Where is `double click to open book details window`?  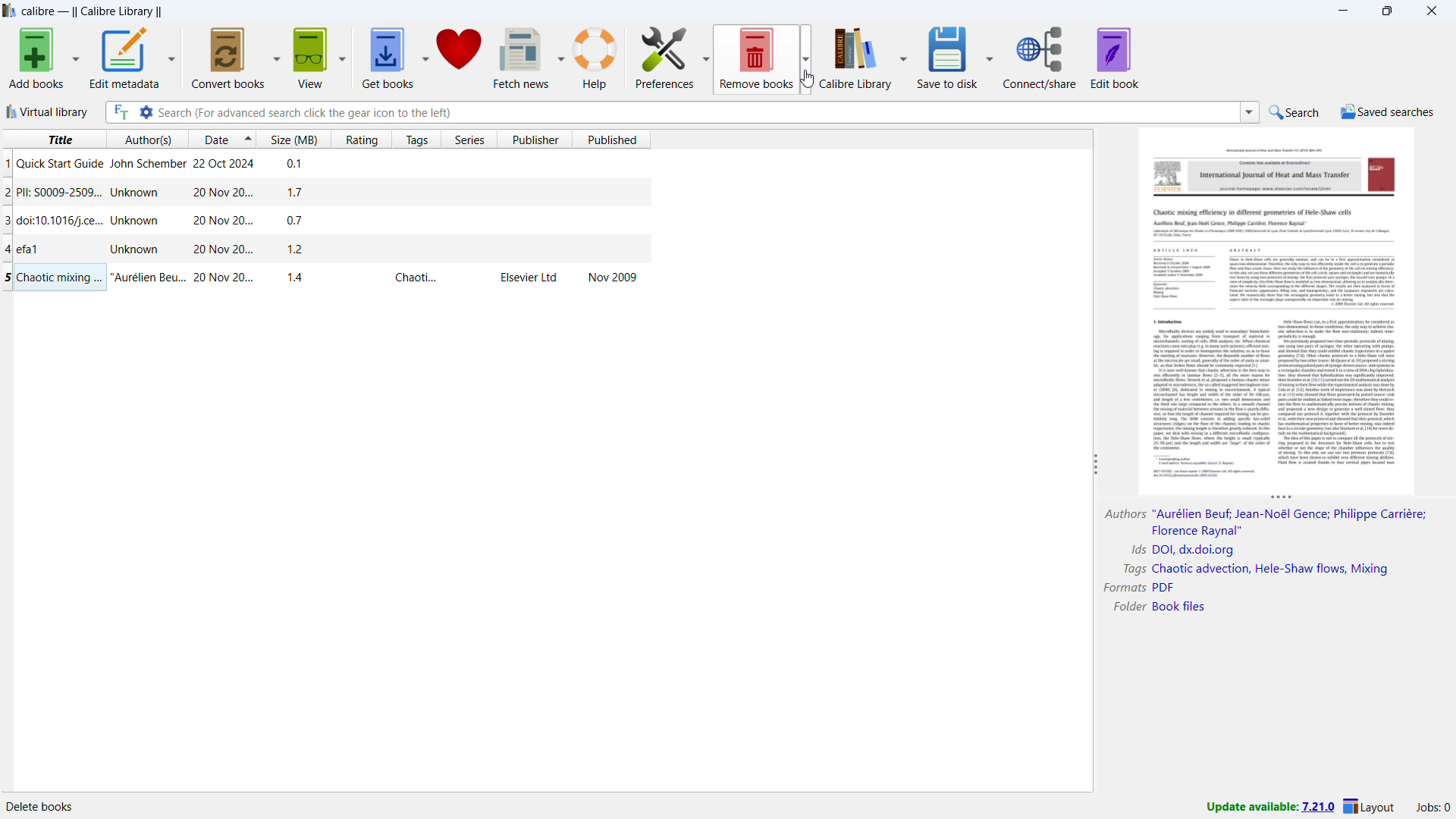
double click to open book details window is located at coordinates (1279, 309).